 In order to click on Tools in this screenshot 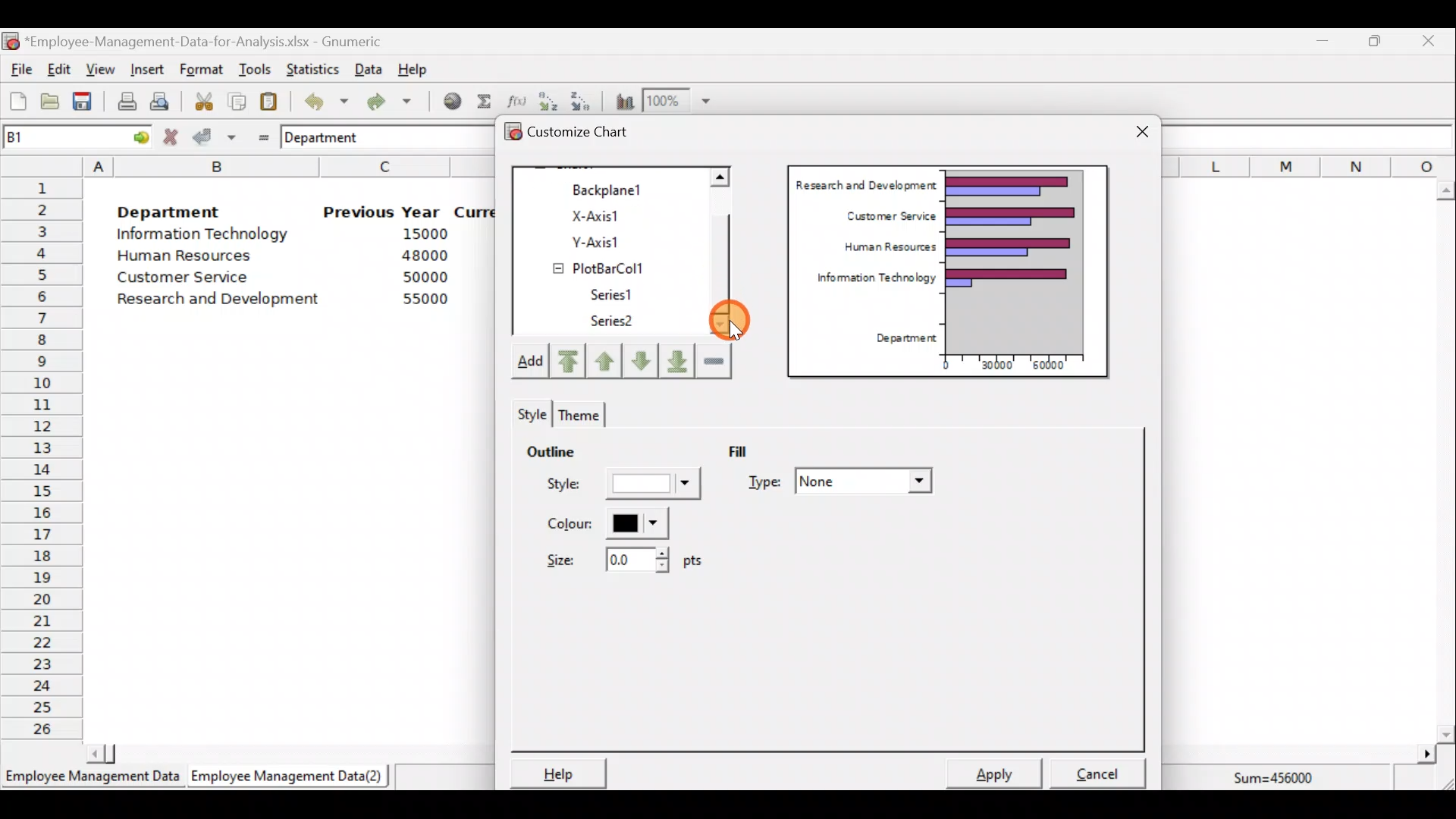, I will do `click(254, 71)`.